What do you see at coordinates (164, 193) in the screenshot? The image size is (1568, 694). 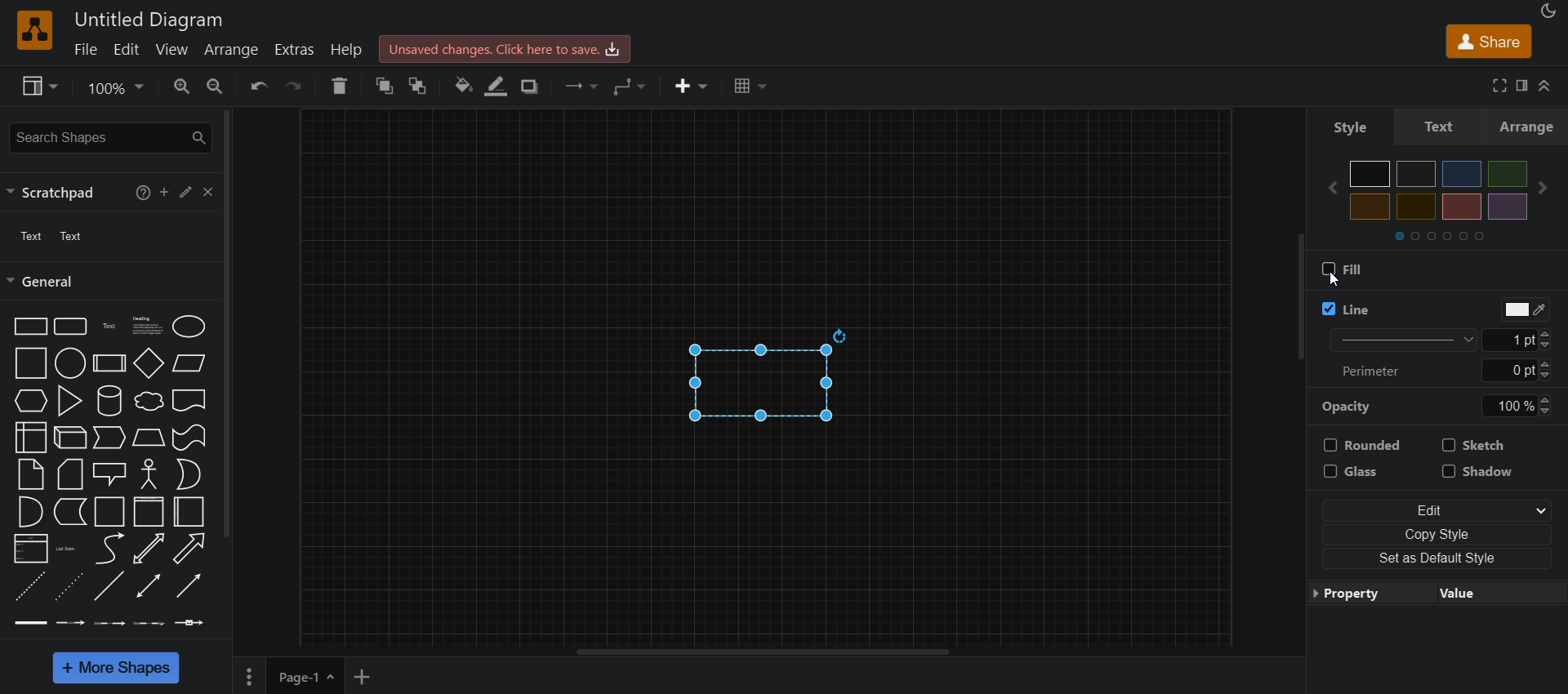 I see `add` at bounding box center [164, 193].